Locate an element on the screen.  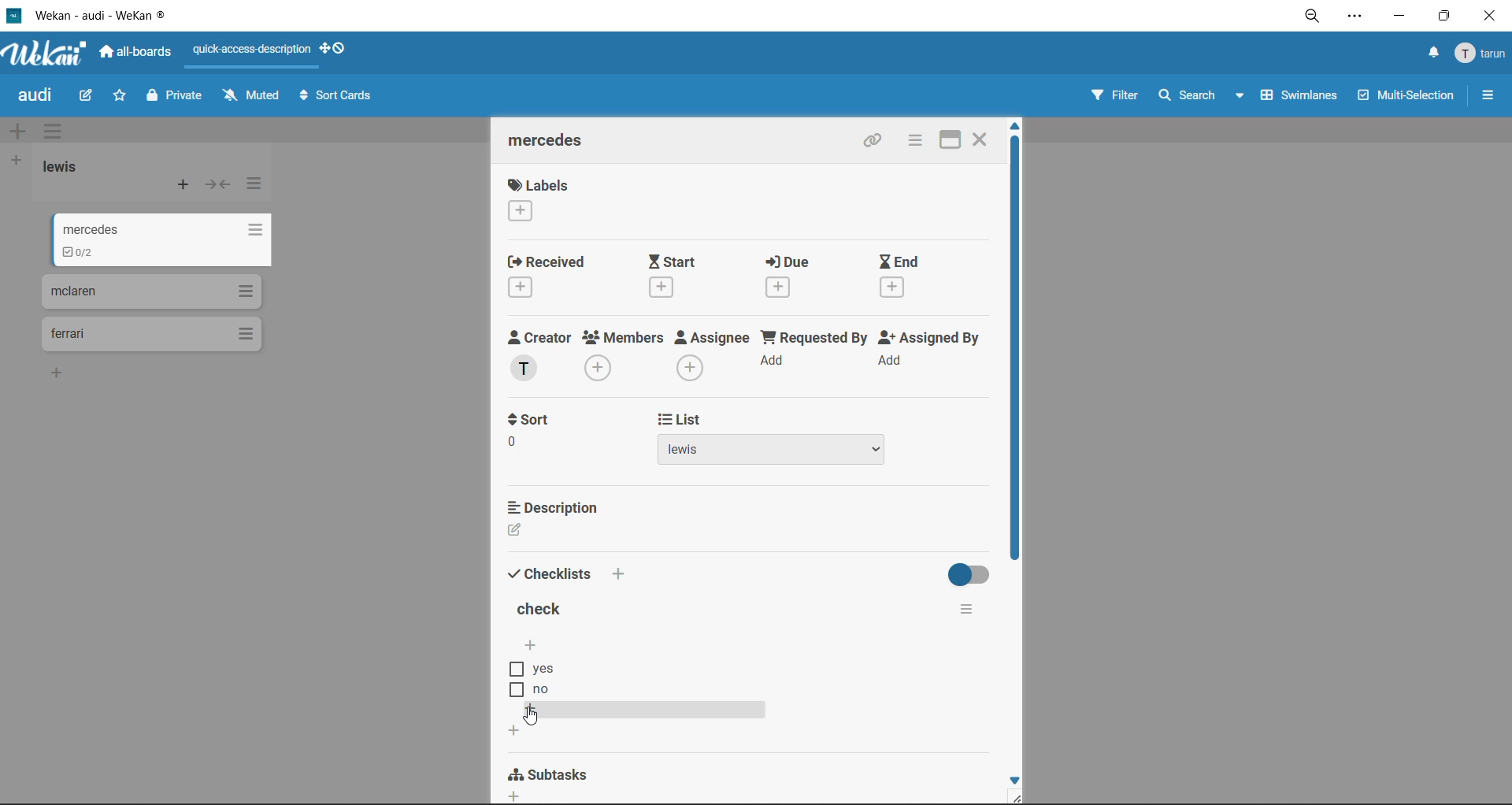
assigned by is located at coordinates (930, 339).